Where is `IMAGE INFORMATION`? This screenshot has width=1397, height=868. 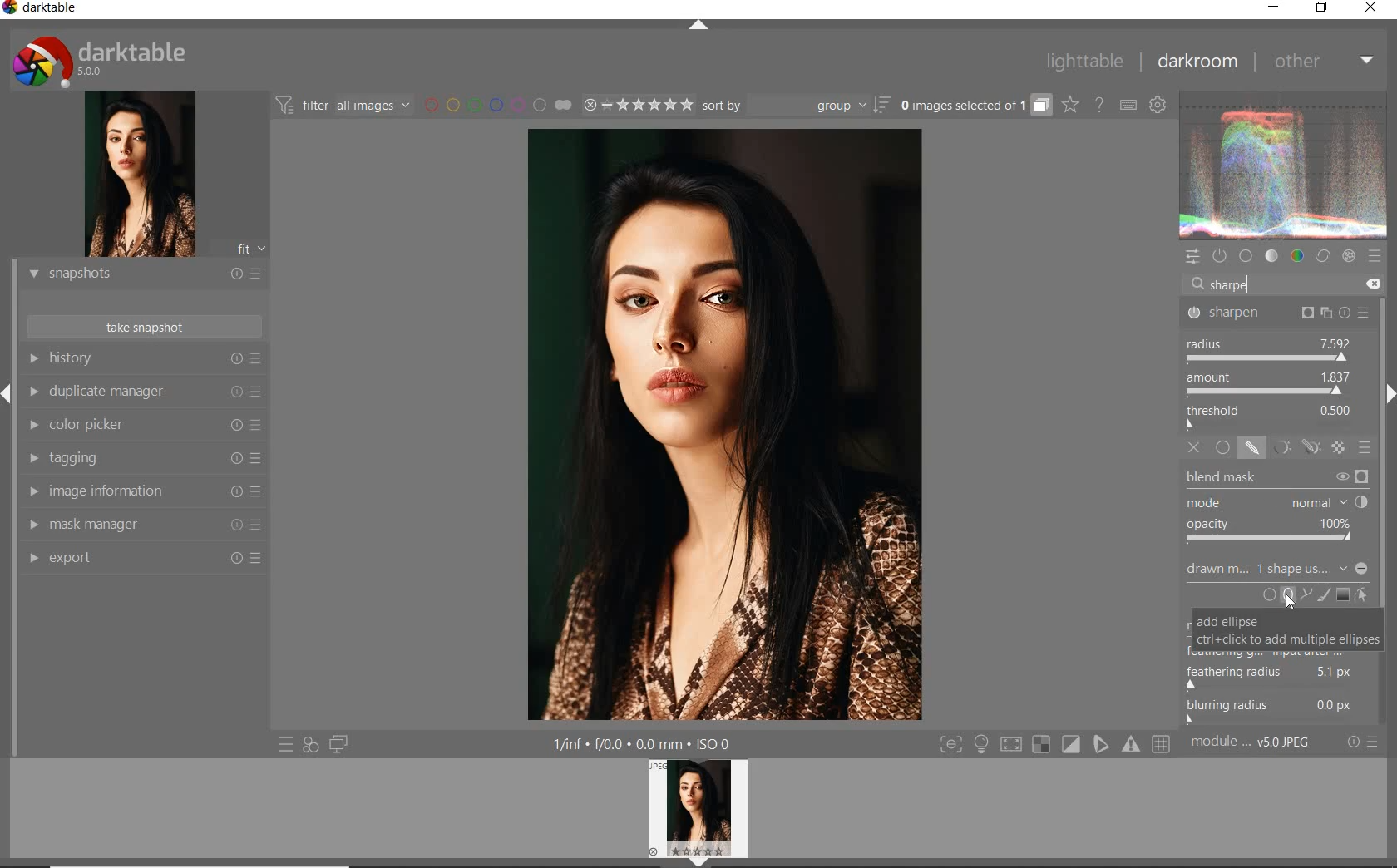 IMAGE INFORMATION is located at coordinates (141, 490).